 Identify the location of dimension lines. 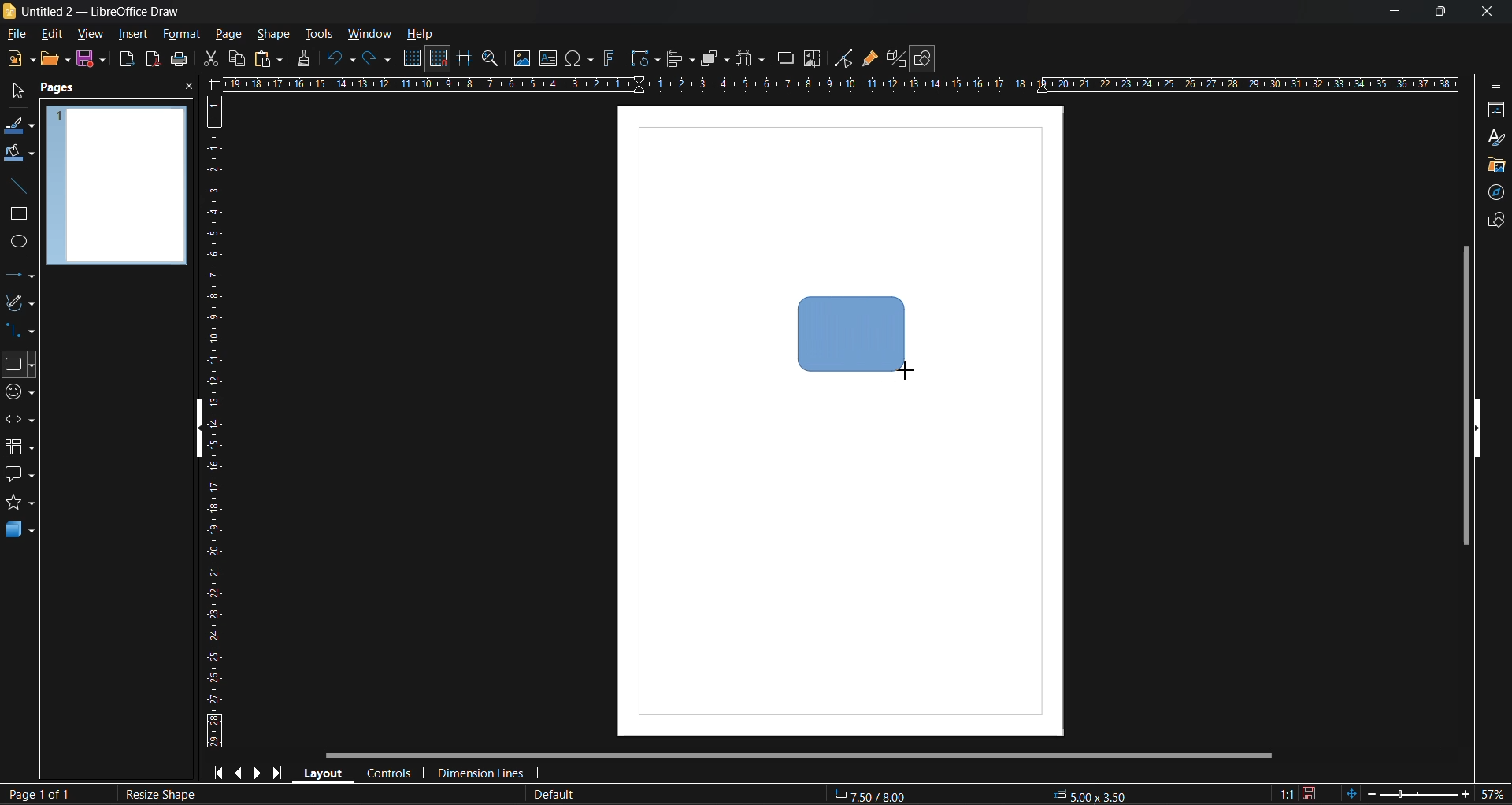
(480, 774).